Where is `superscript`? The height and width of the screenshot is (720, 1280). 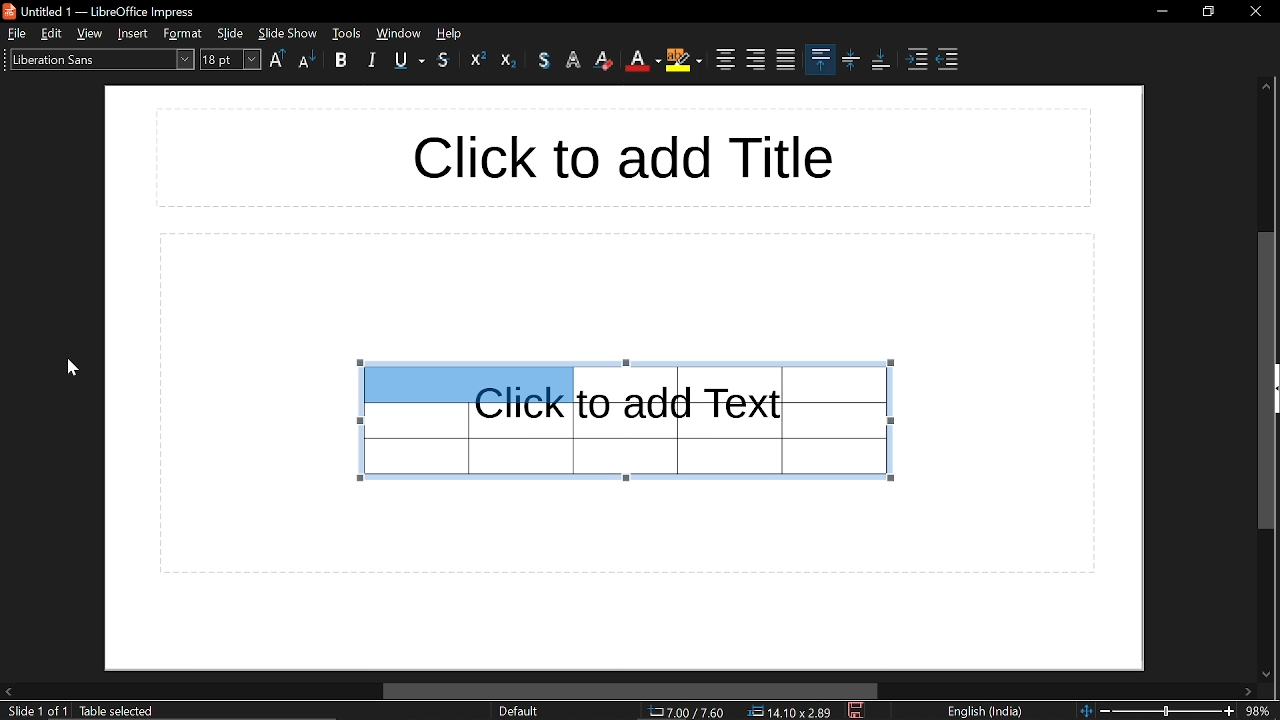
superscript is located at coordinates (478, 59).